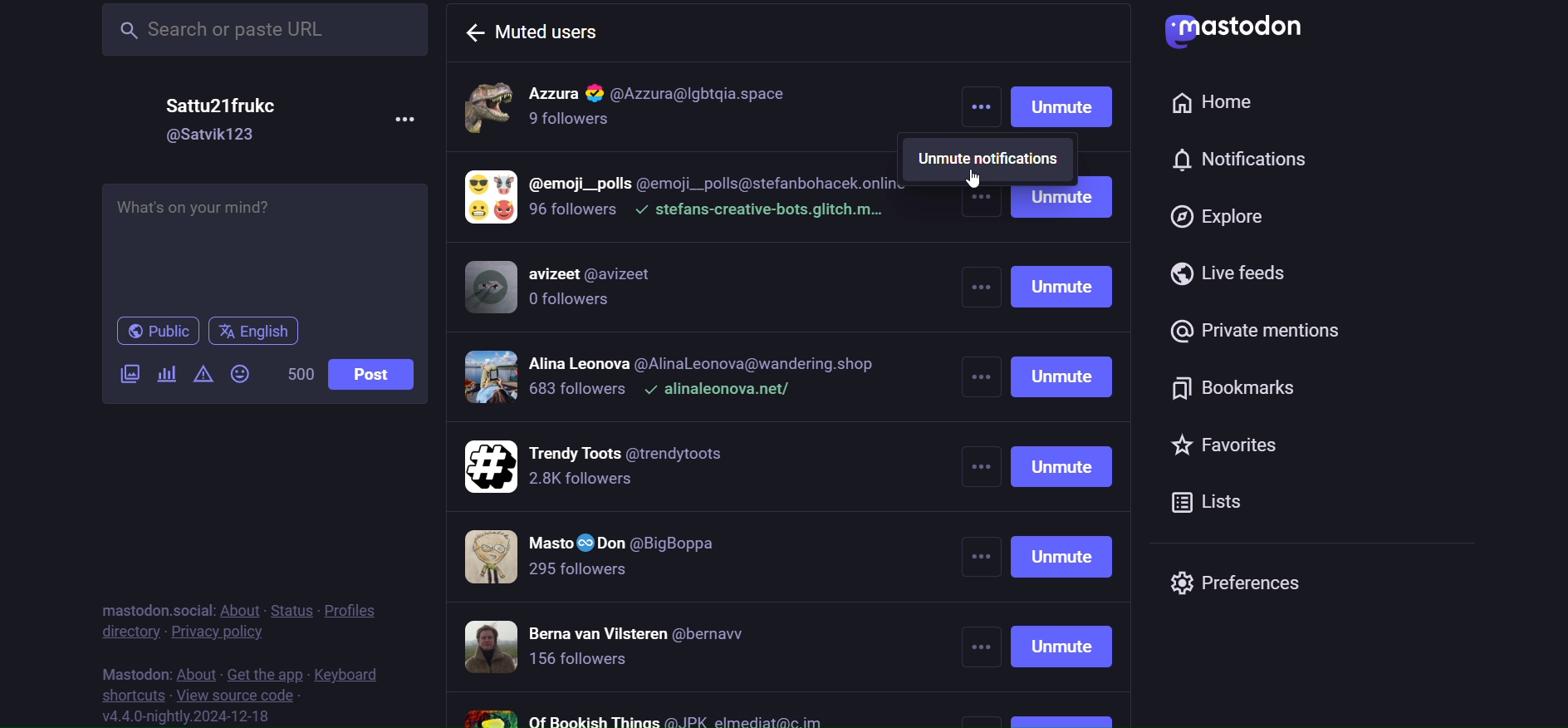 This screenshot has height=728, width=1568. I want to click on post here, so click(267, 243).